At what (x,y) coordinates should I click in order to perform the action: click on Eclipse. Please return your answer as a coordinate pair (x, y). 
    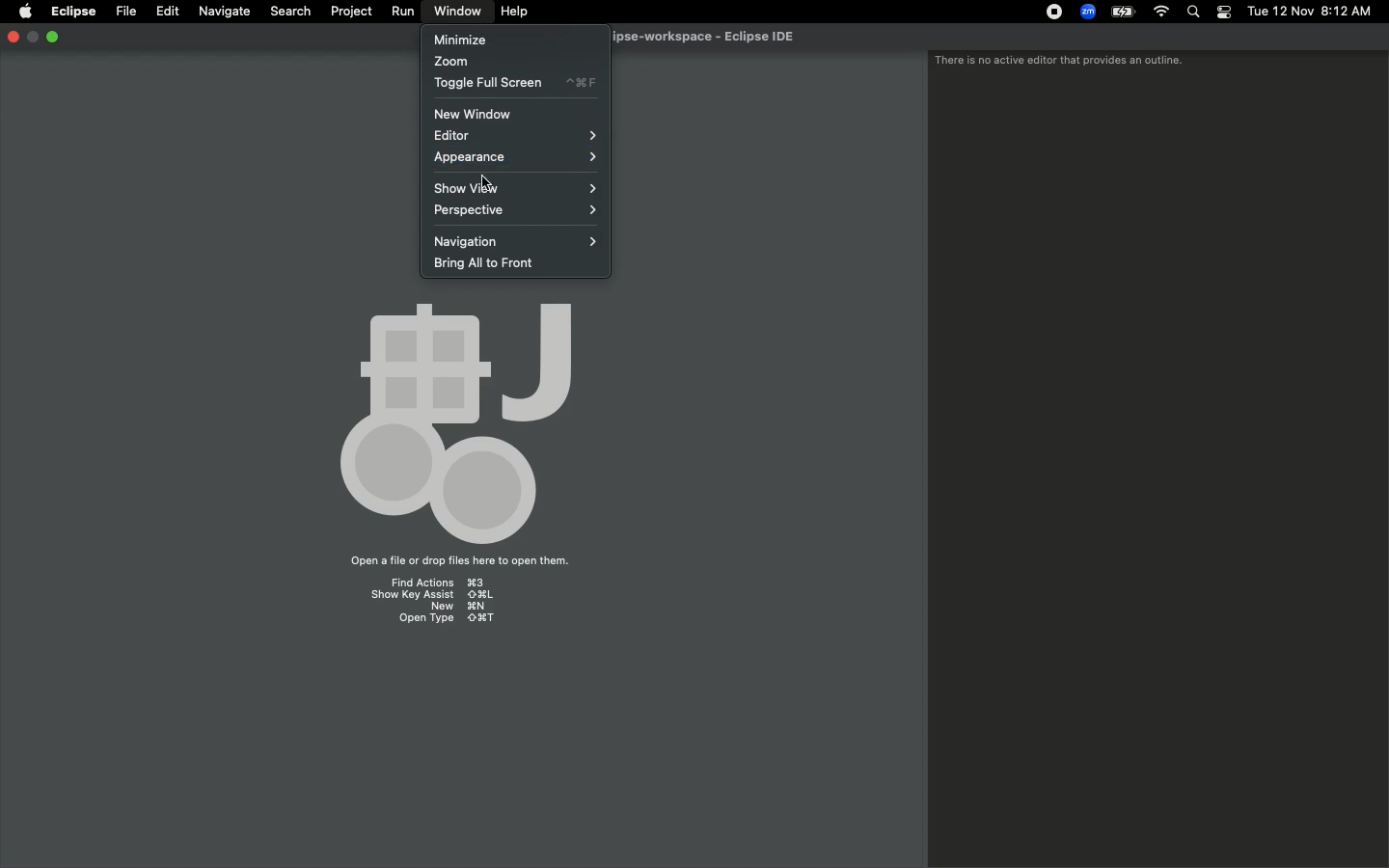
    Looking at the image, I should click on (73, 13).